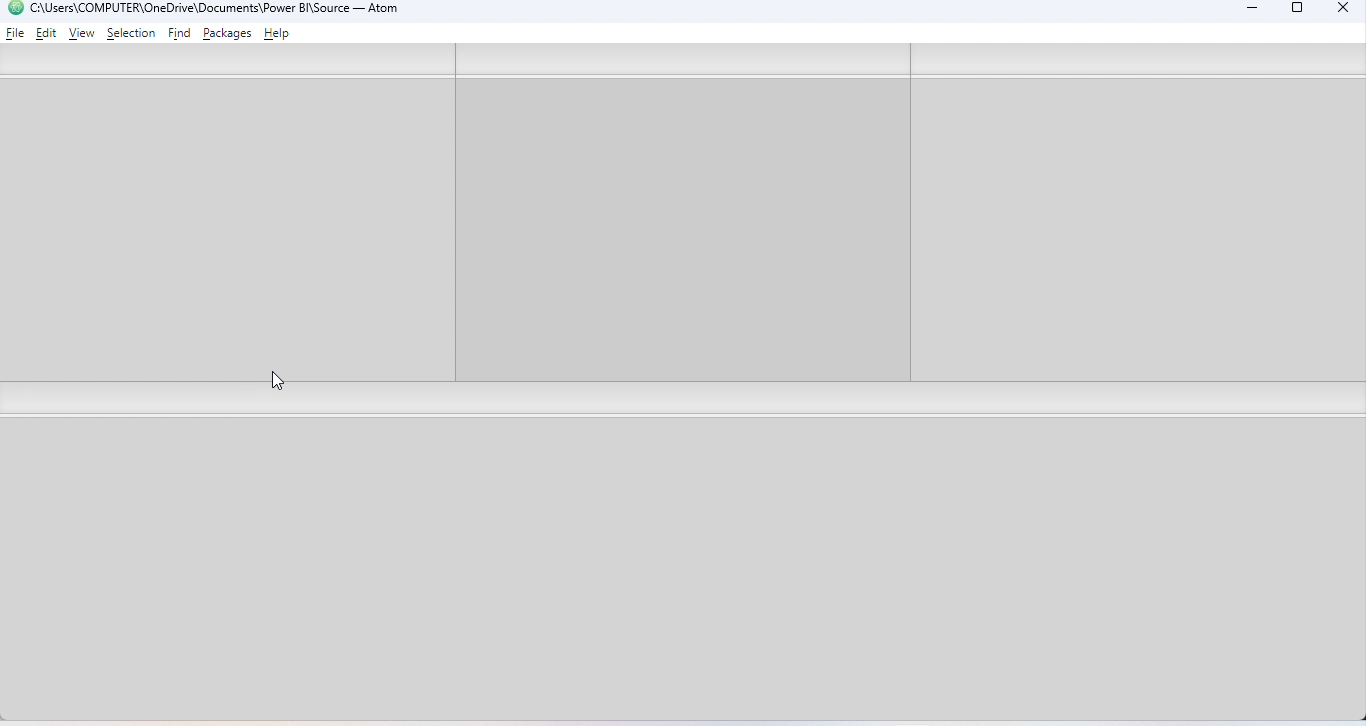 Image resolution: width=1366 pixels, height=726 pixels. I want to click on Maximize, so click(1298, 11).